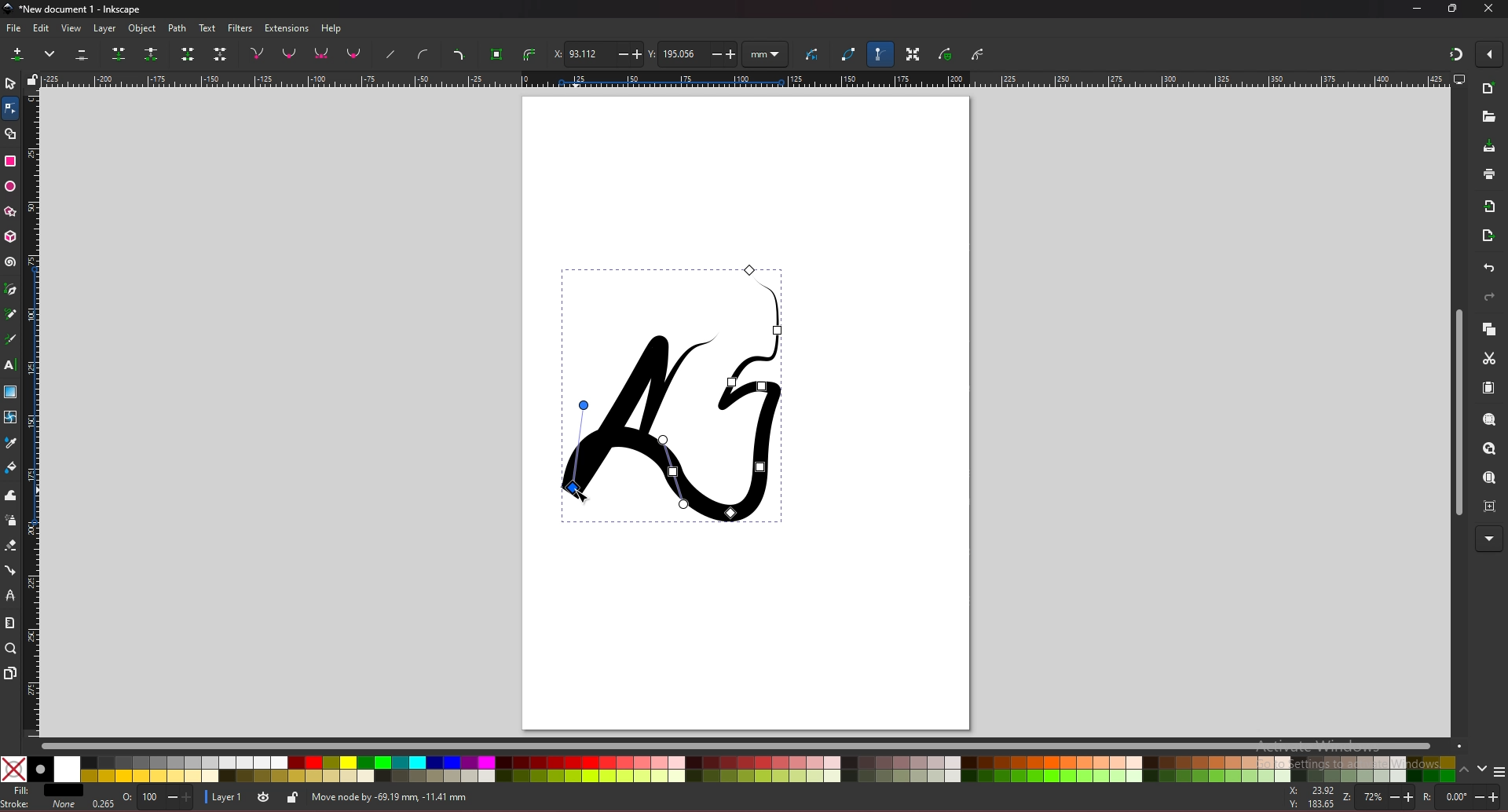  I want to click on delete selected node, so click(82, 53).